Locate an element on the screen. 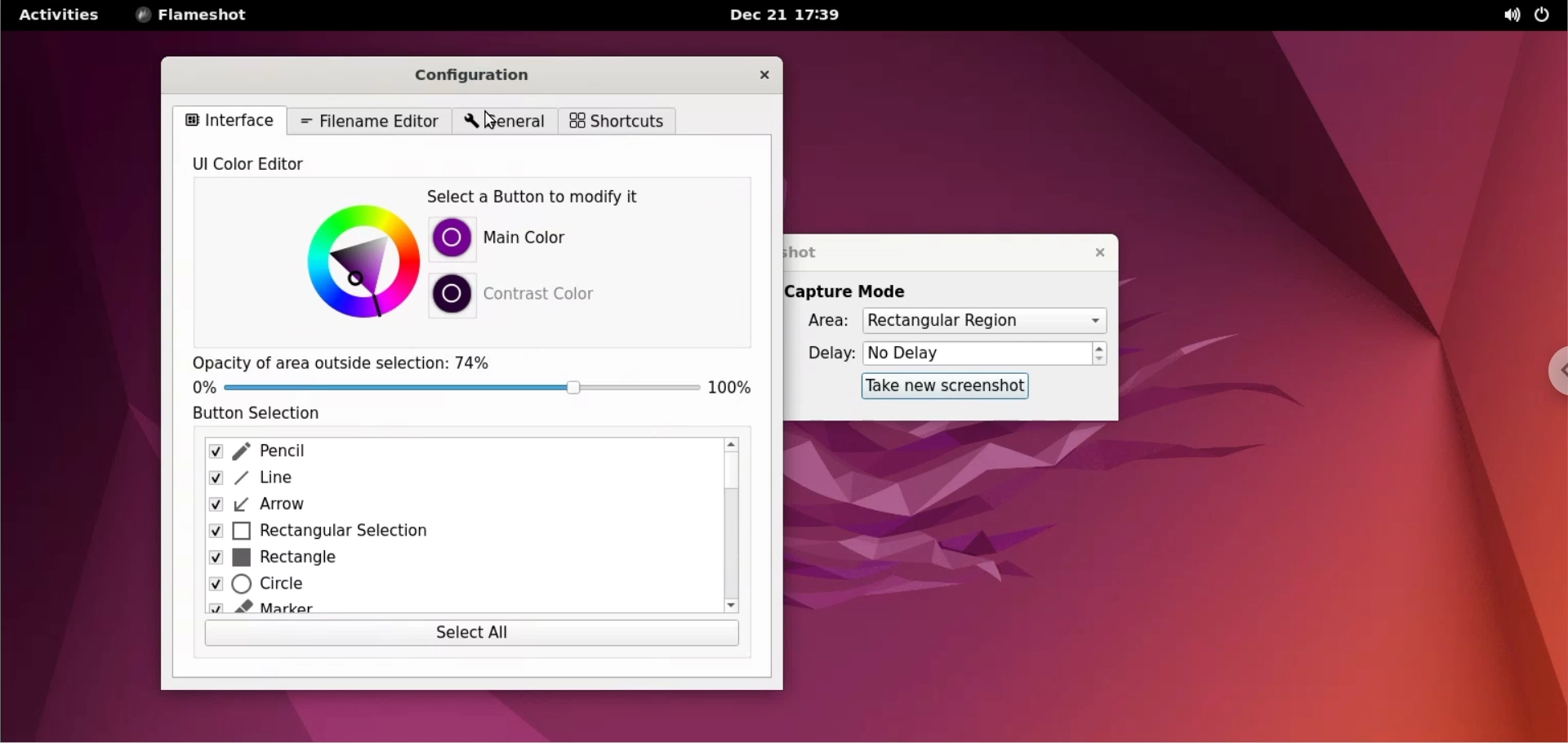 The image size is (1568, 743). capture area types dropdown is located at coordinates (984, 320).